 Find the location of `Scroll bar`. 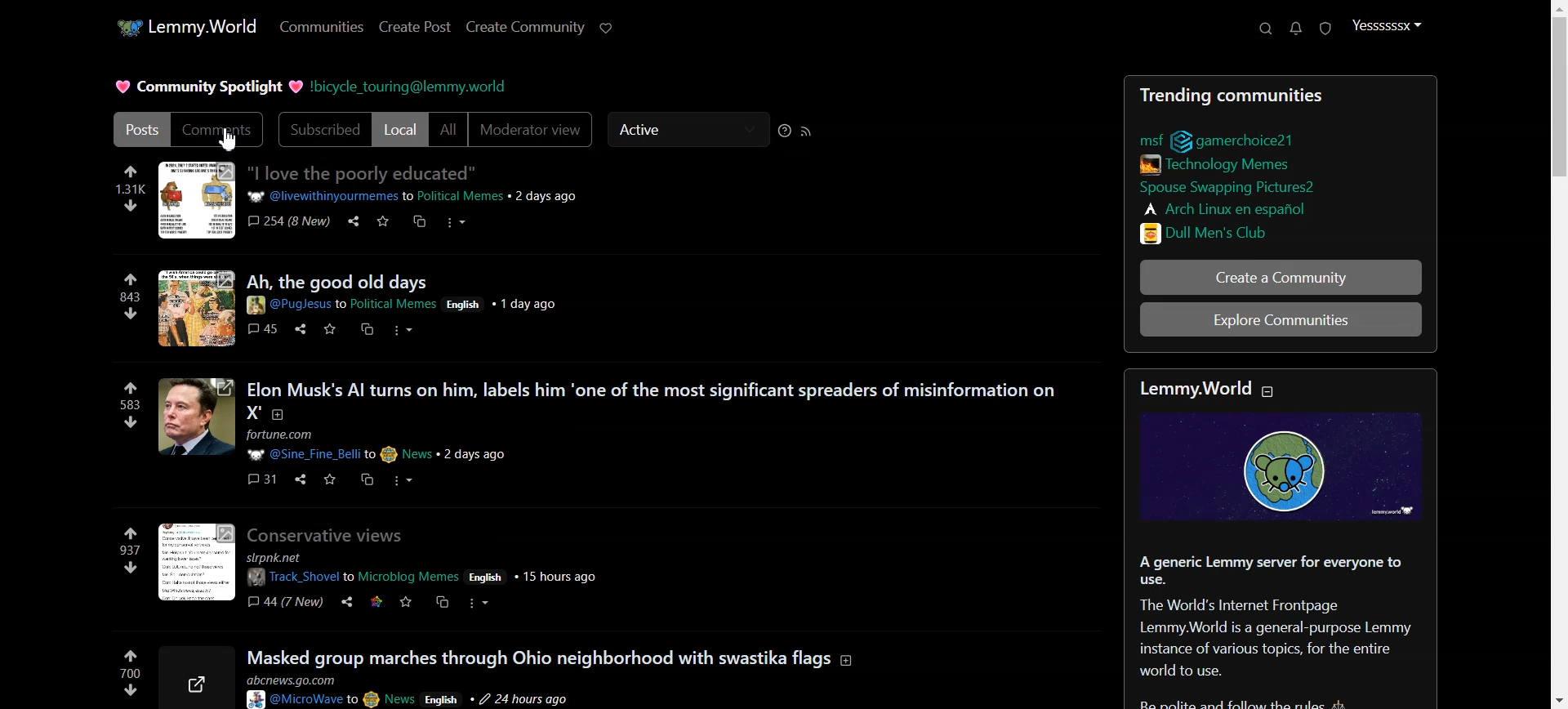

Scroll bar is located at coordinates (1553, 354).